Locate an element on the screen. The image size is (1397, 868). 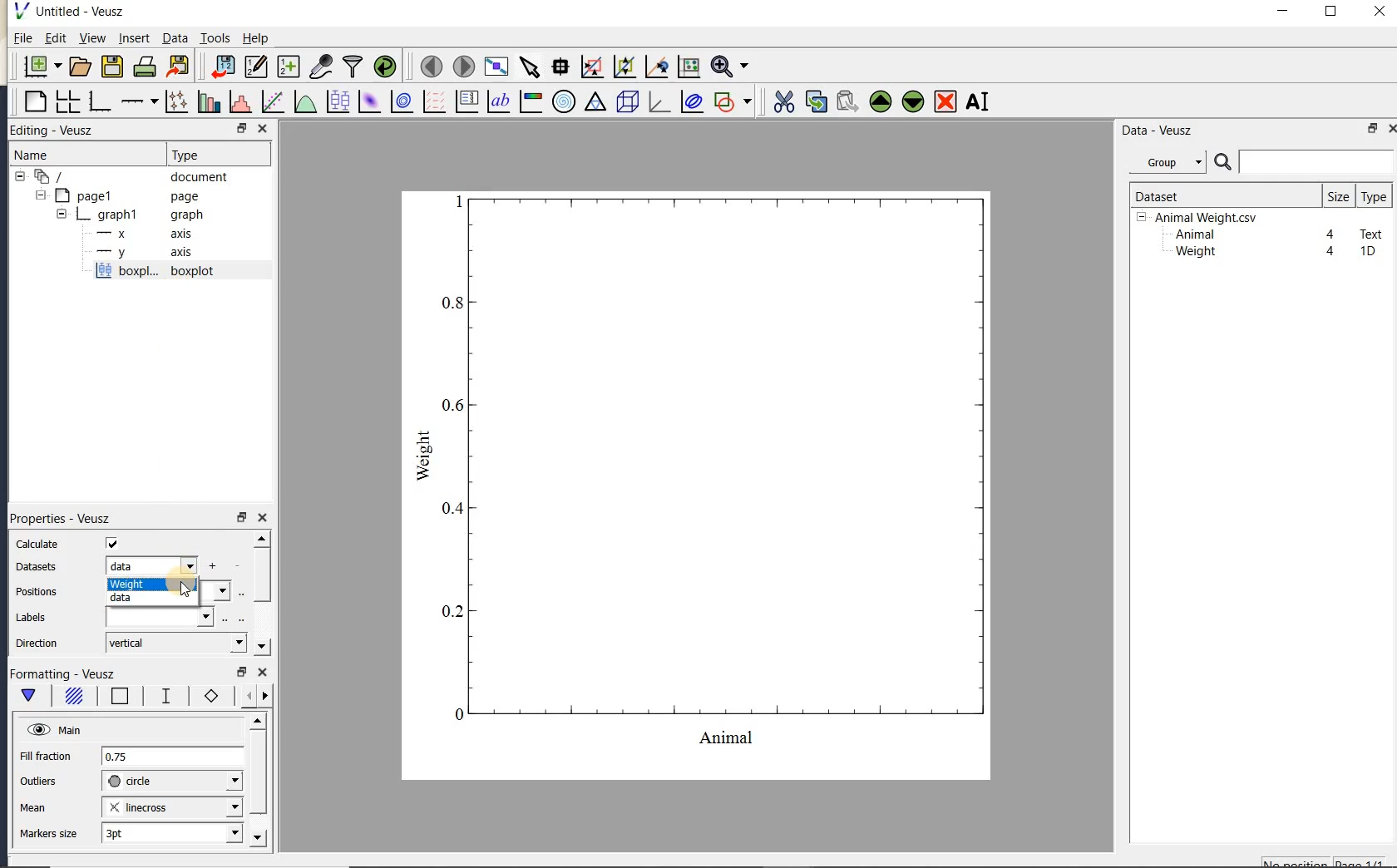
Help is located at coordinates (255, 38).